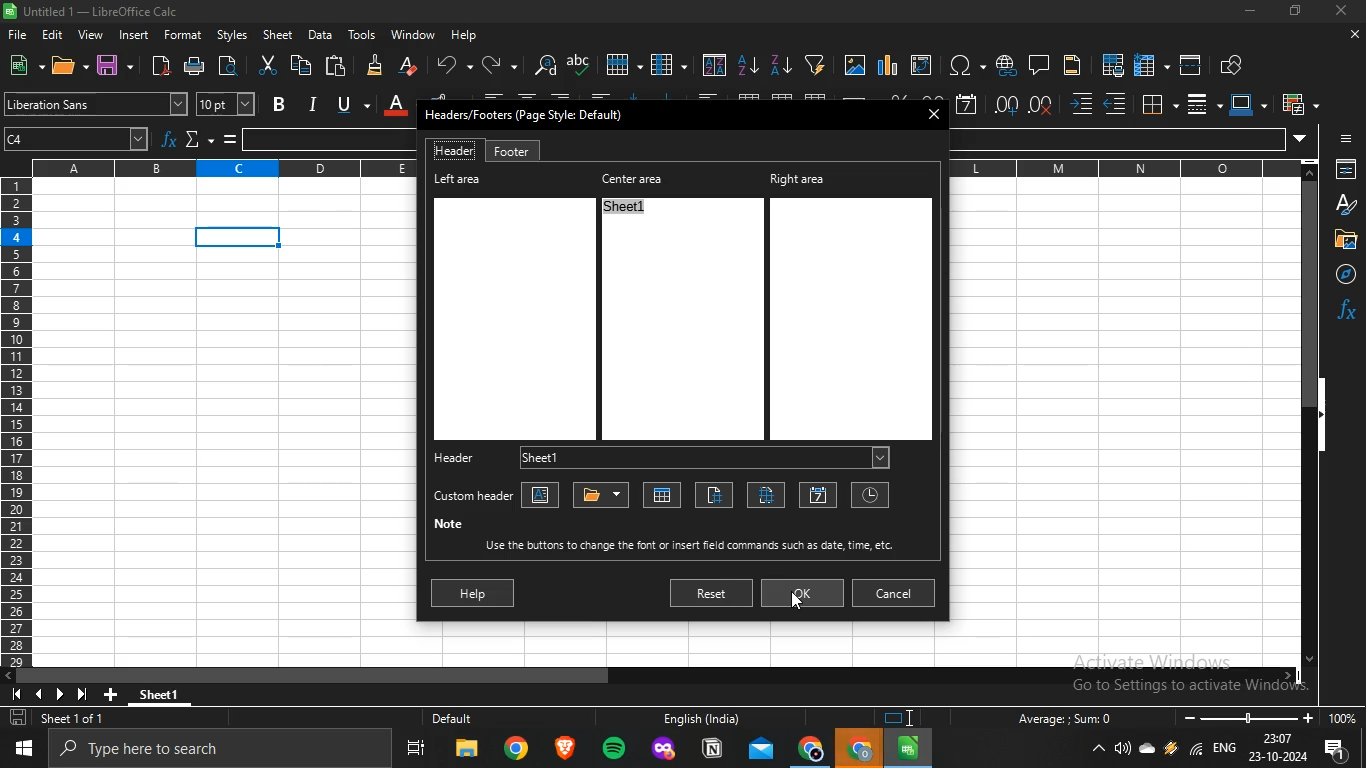  I want to click on properties, so click(1343, 170).